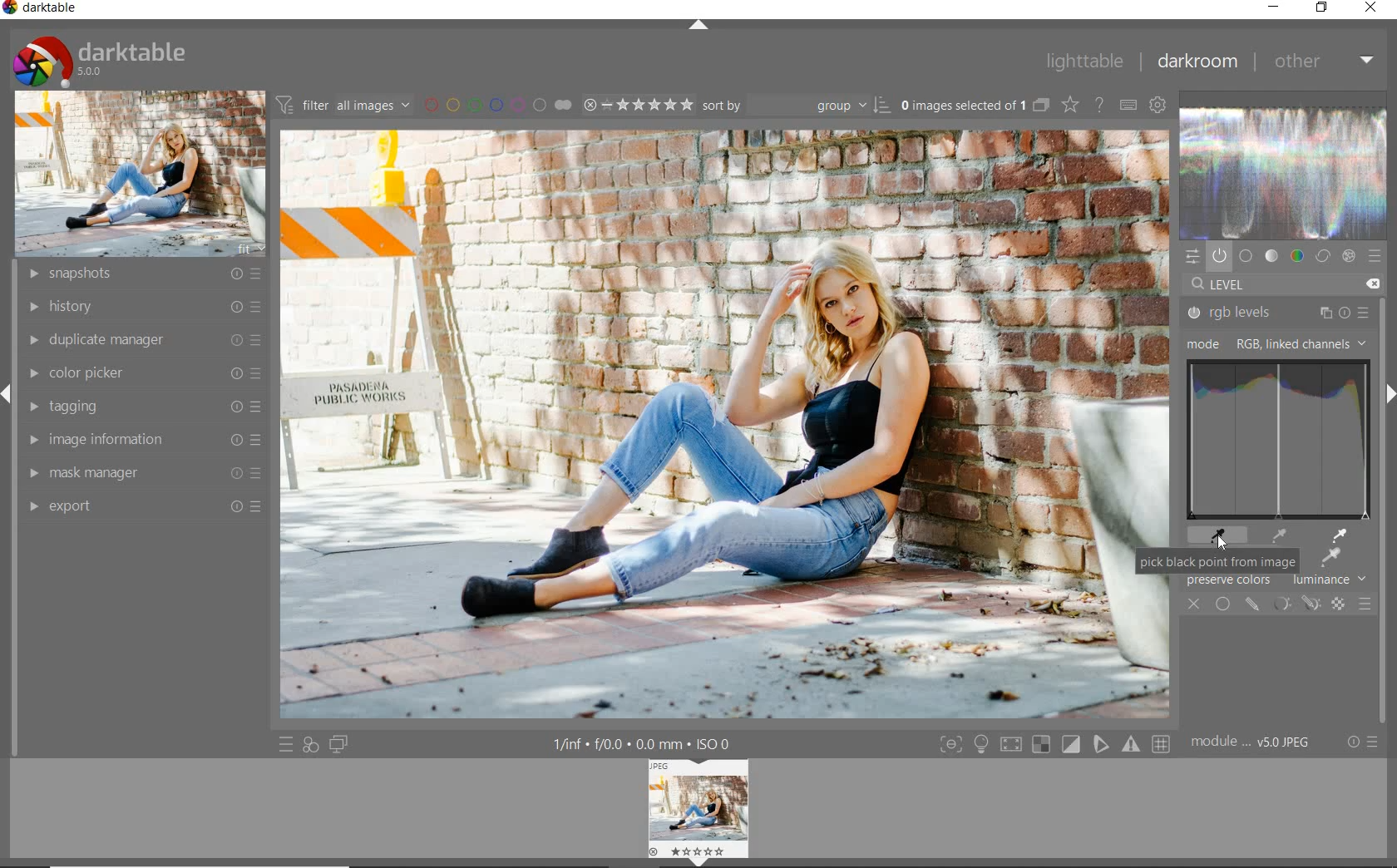 The image size is (1397, 868). I want to click on blending options, so click(1365, 602).